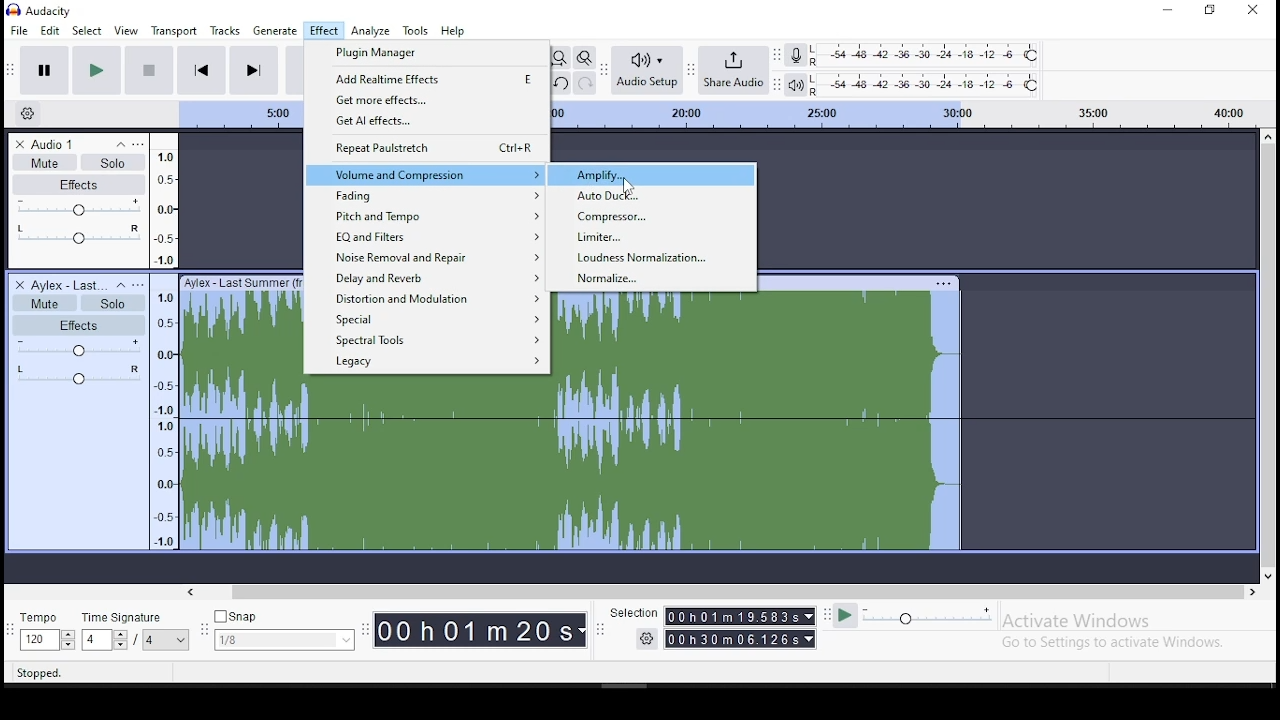 This screenshot has height=720, width=1280. I want to click on open menu, so click(138, 284).